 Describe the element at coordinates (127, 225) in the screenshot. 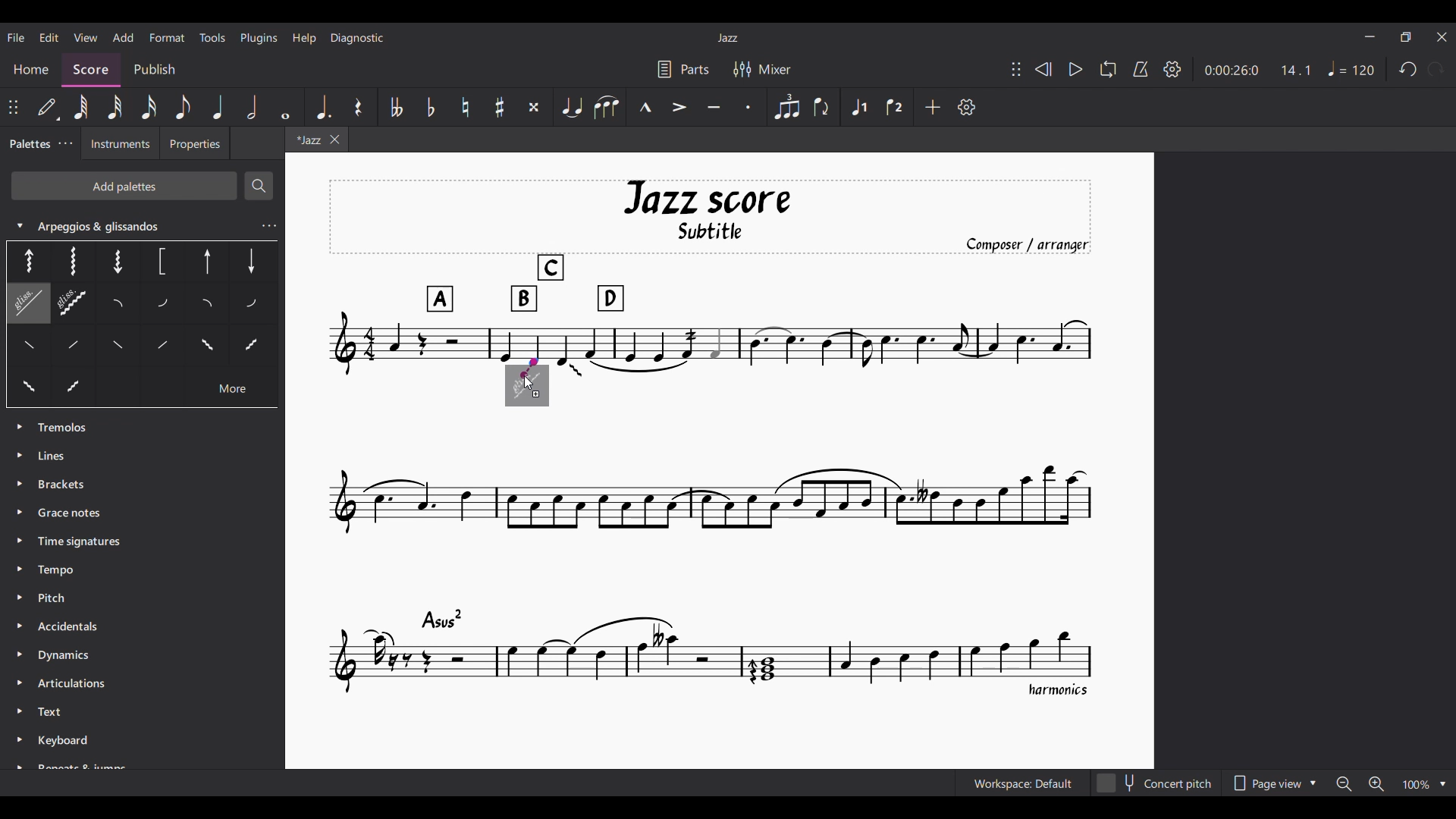

I see `Arpeggios & glissandos` at that location.